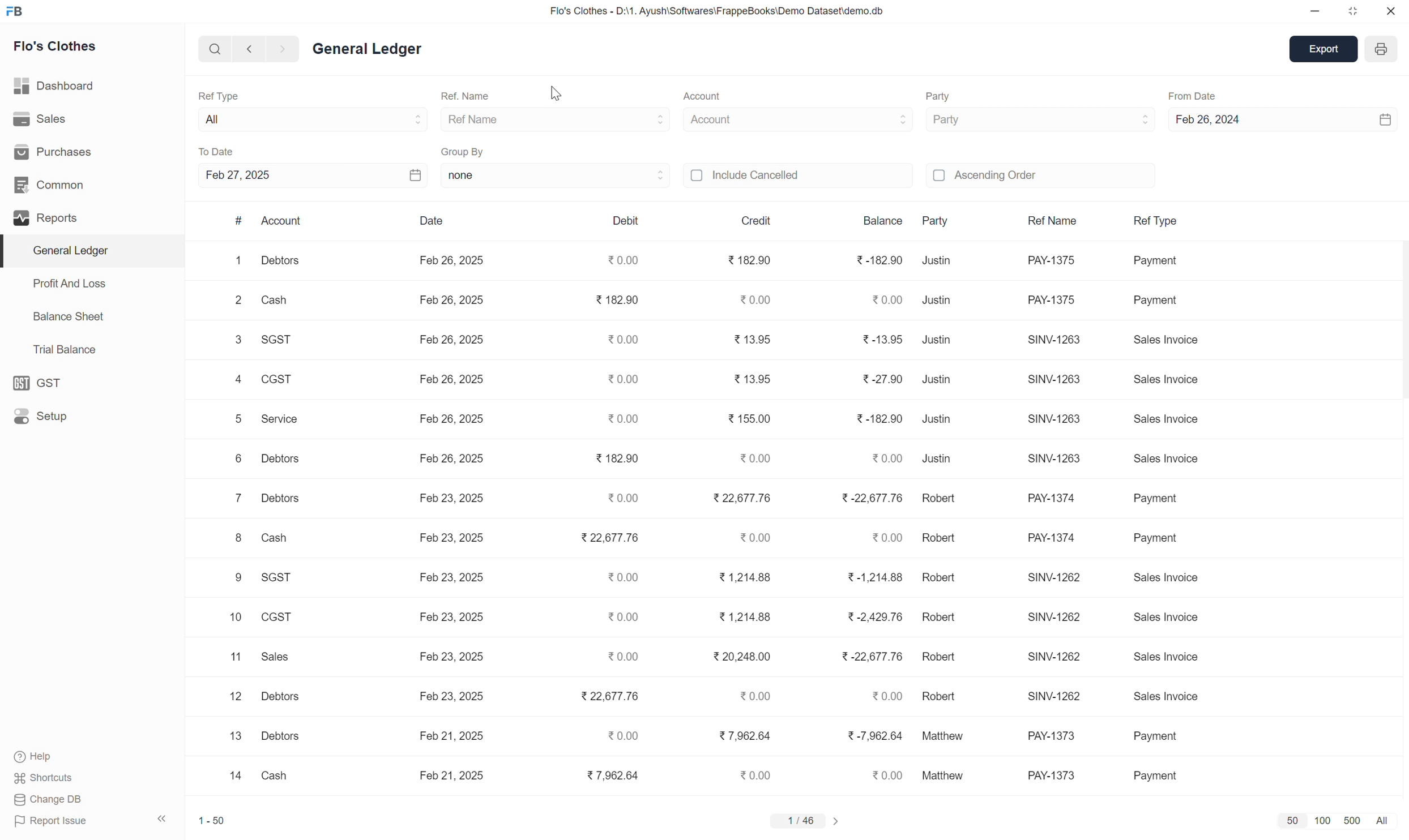 This screenshot has width=1409, height=840. What do you see at coordinates (252, 49) in the screenshot?
I see `previous` at bounding box center [252, 49].